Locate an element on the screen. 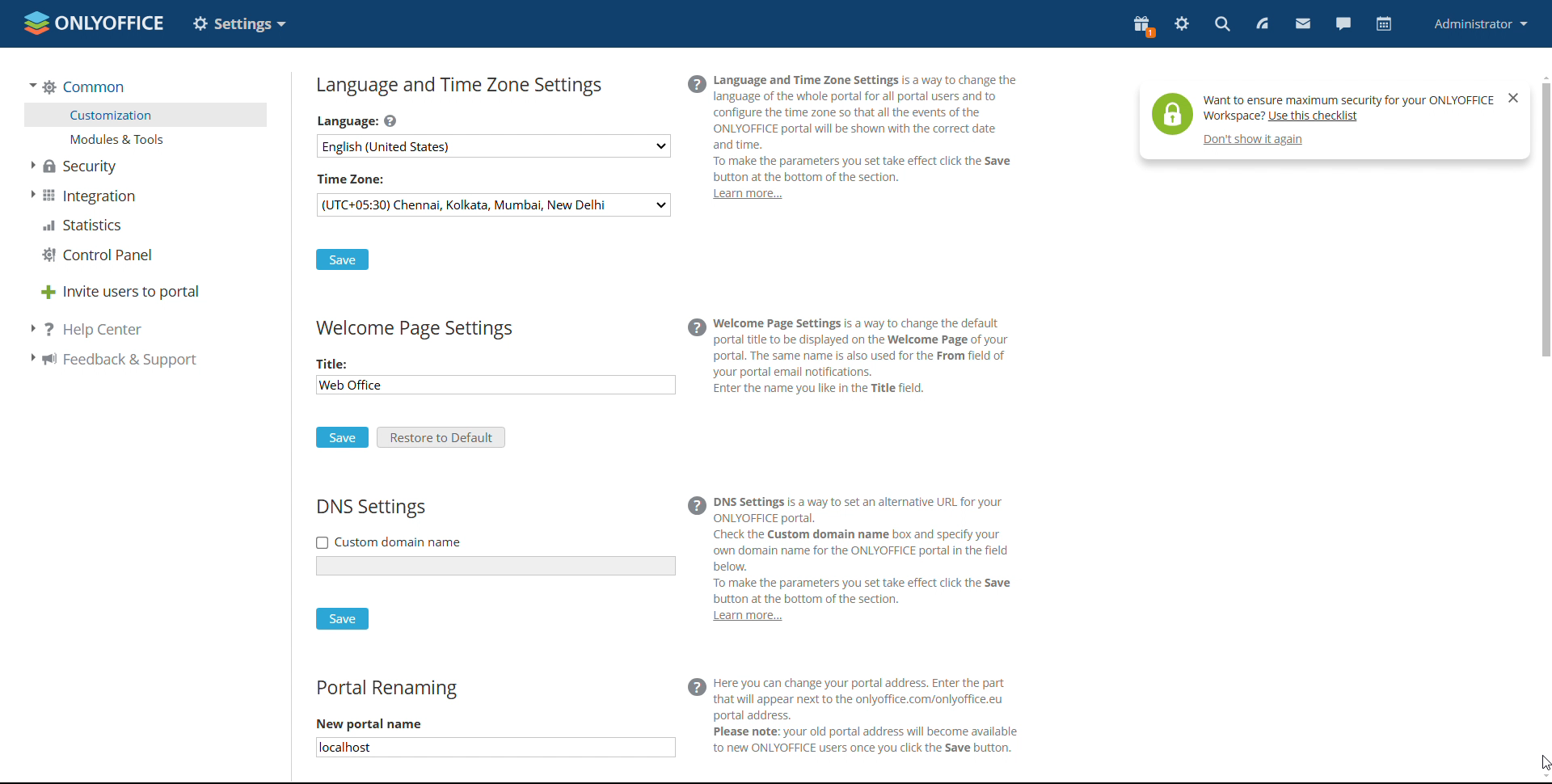 The image size is (1552, 784). common is located at coordinates (77, 86).